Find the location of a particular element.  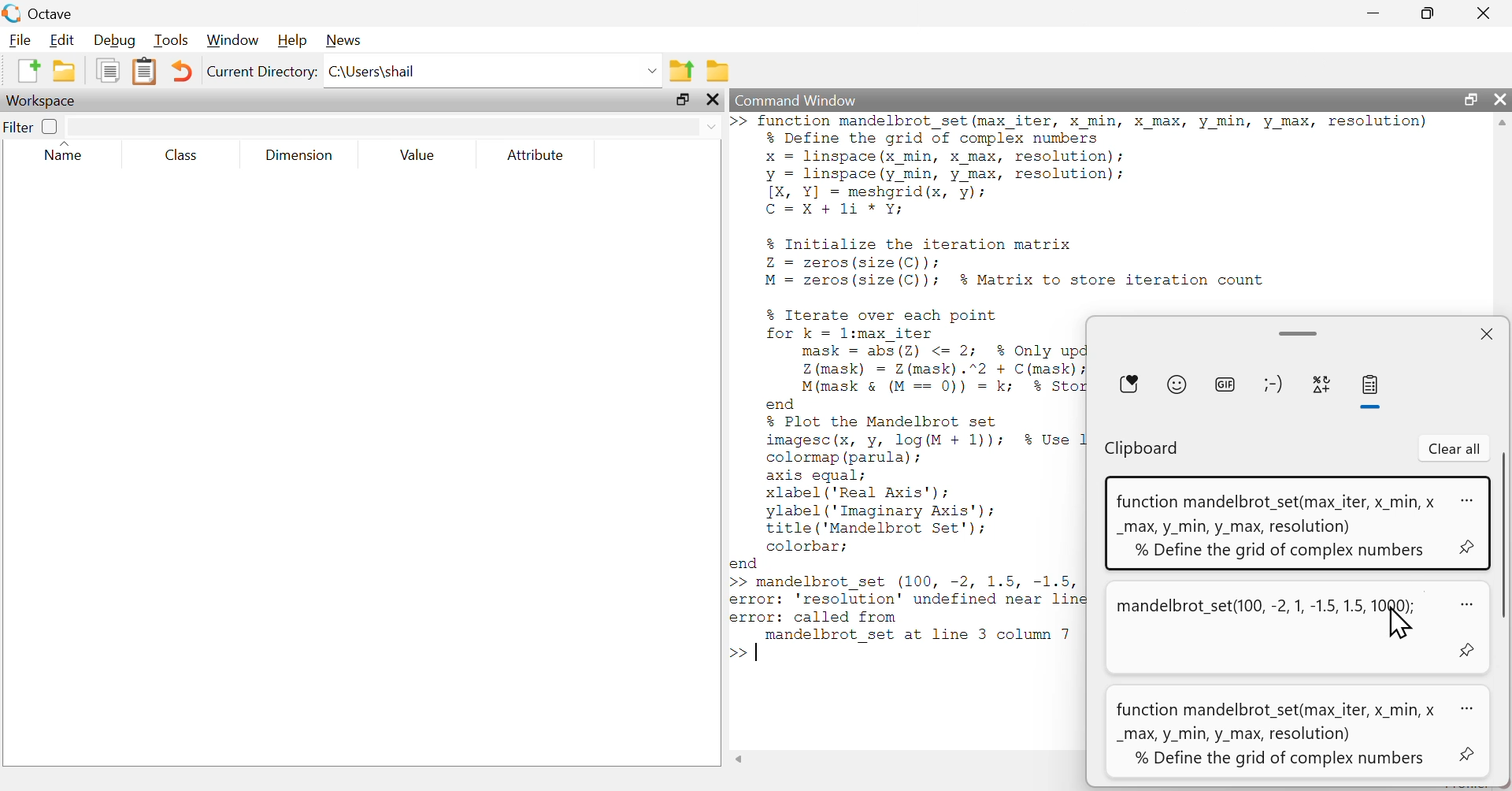

Value is located at coordinates (419, 157).